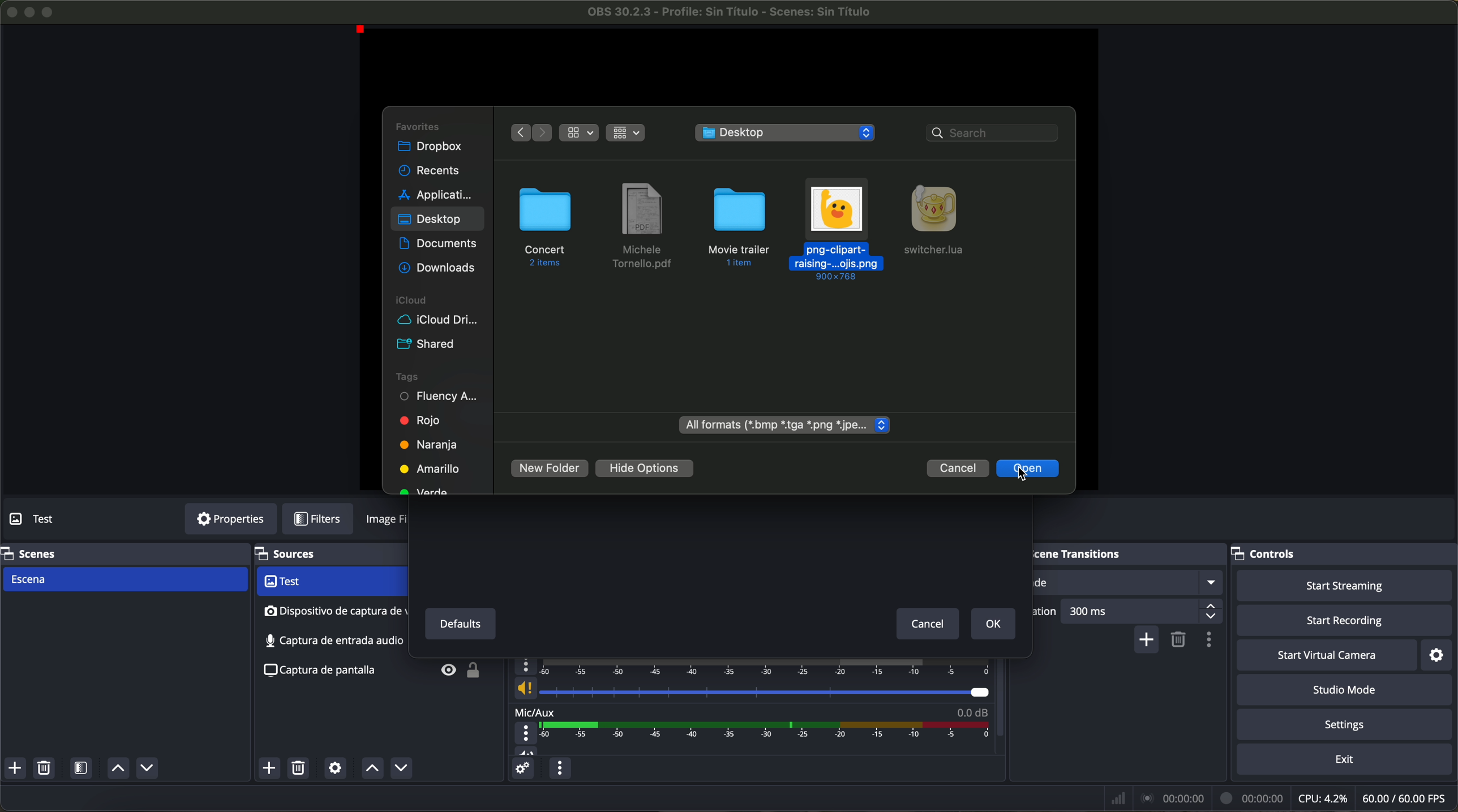  What do you see at coordinates (330, 582) in the screenshot?
I see `video capture device` at bounding box center [330, 582].